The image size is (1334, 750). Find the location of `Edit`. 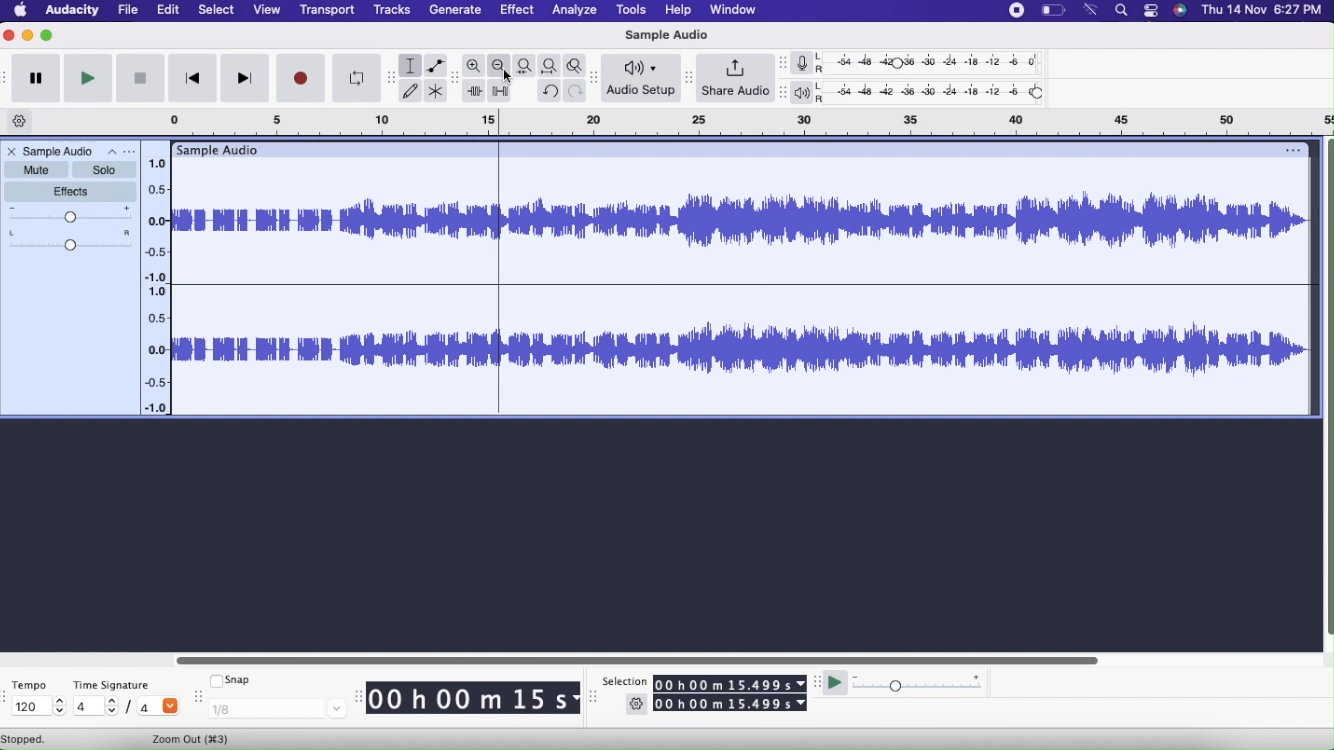

Edit is located at coordinates (171, 11).